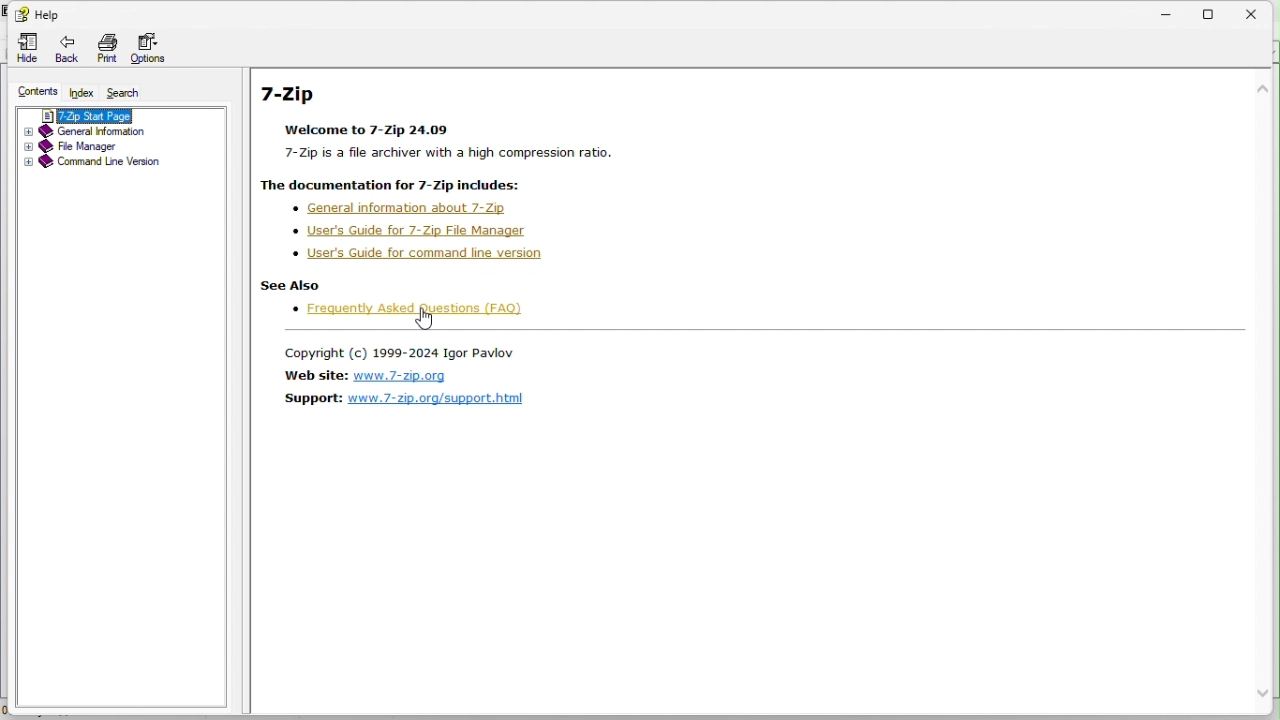 Image resolution: width=1280 pixels, height=720 pixels. Describe the element at coordinates (316, 378) in the screenshot. I see `website` at that location.